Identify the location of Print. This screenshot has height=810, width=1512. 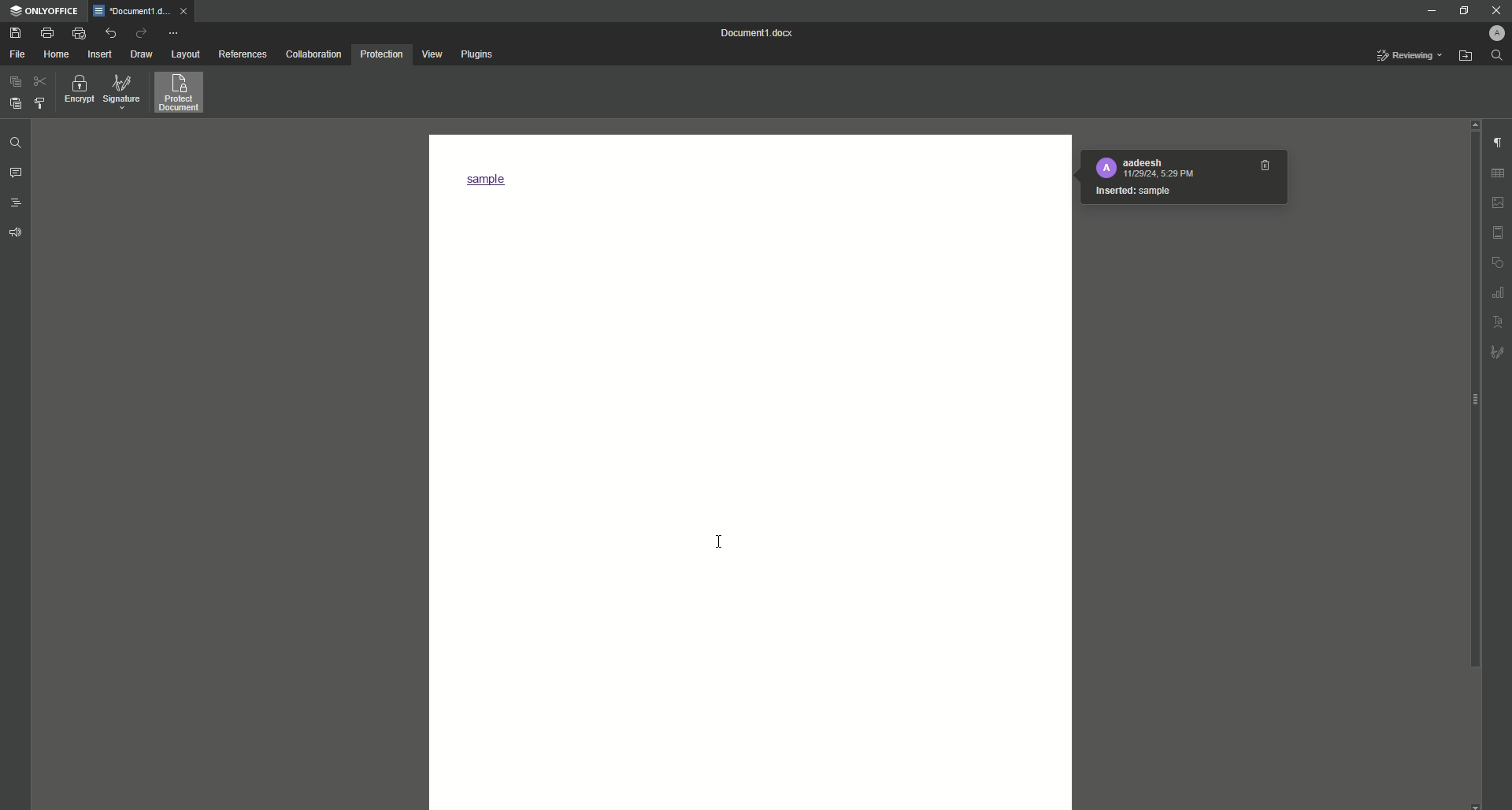
(45, 33).